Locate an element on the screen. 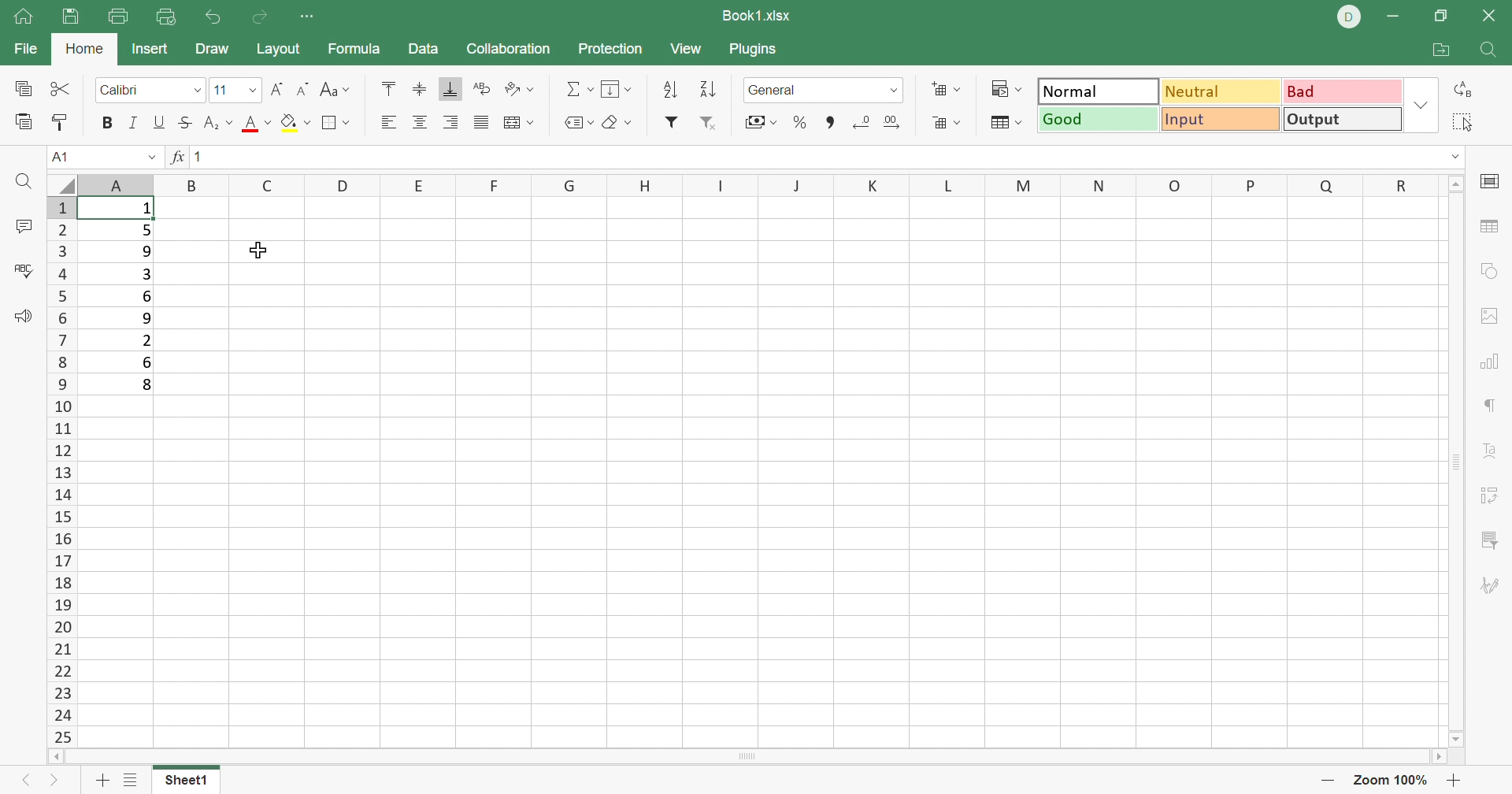 The width and height of the screenshot is (1512, 794). Underline is located at coordinates (161, 122).